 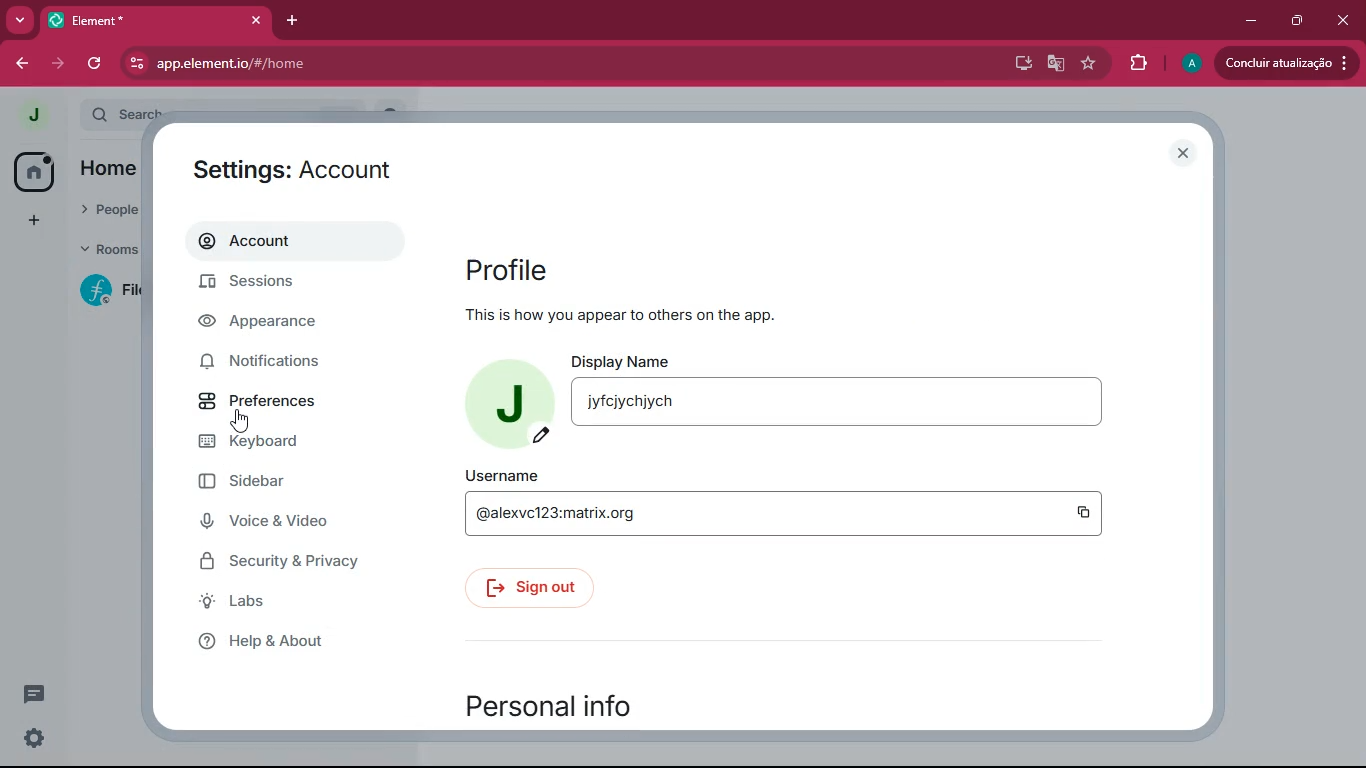 What do you see at coordinates (276, 483) in the screenshot?
I see `sidebar` at bounding box center [276, 483].